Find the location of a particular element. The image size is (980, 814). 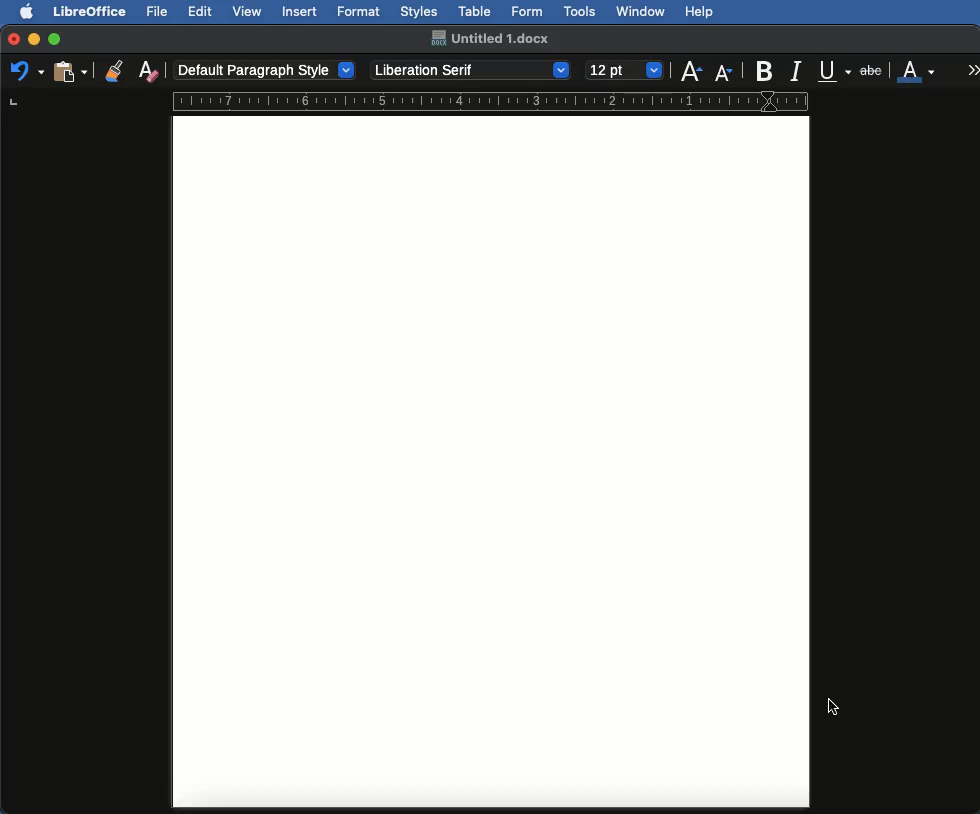

Close is located at coordinates (14, 40).